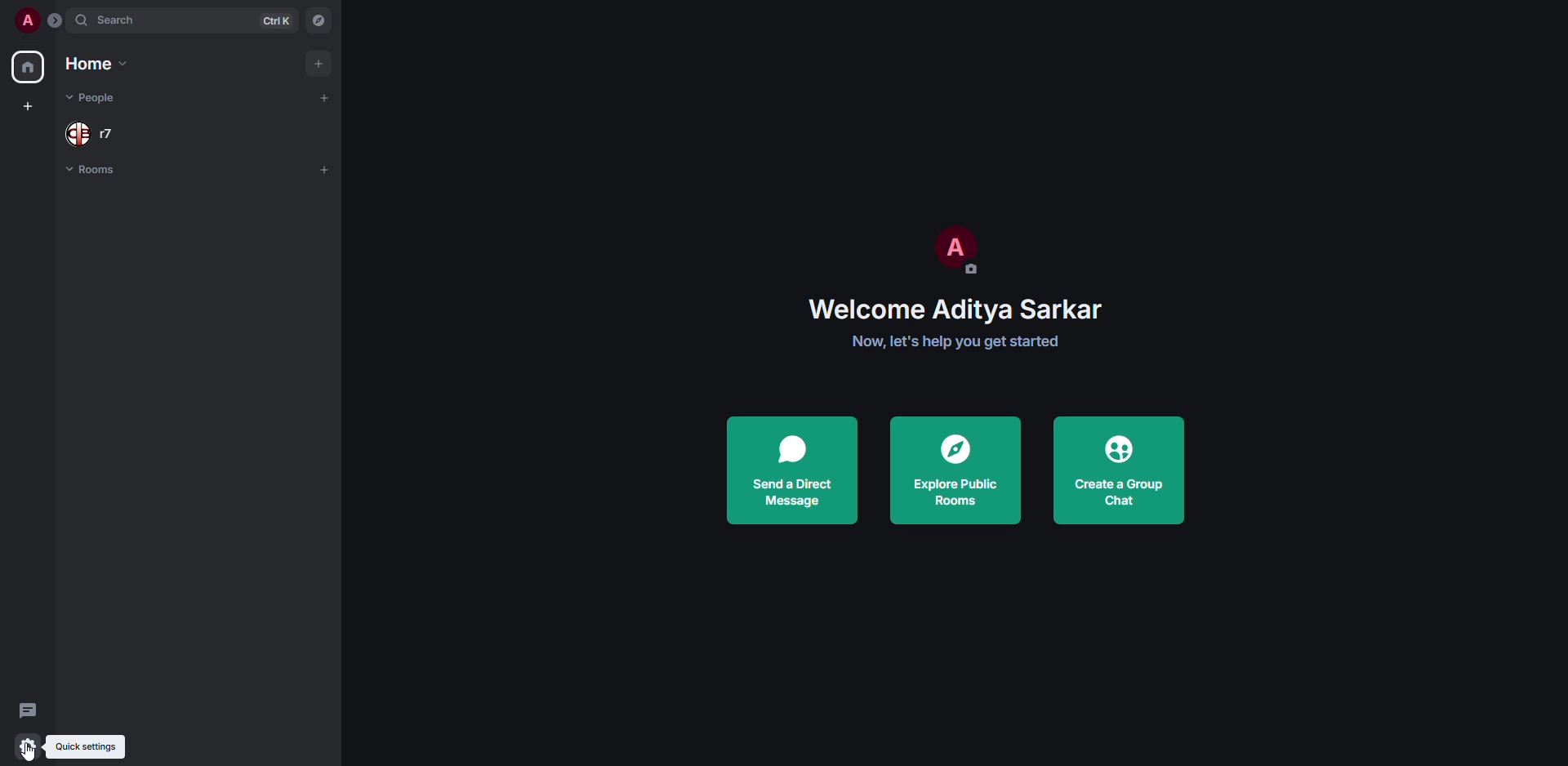  Describe the element at coordinates (325, 169) in the screenshot. I see `add` at that location.